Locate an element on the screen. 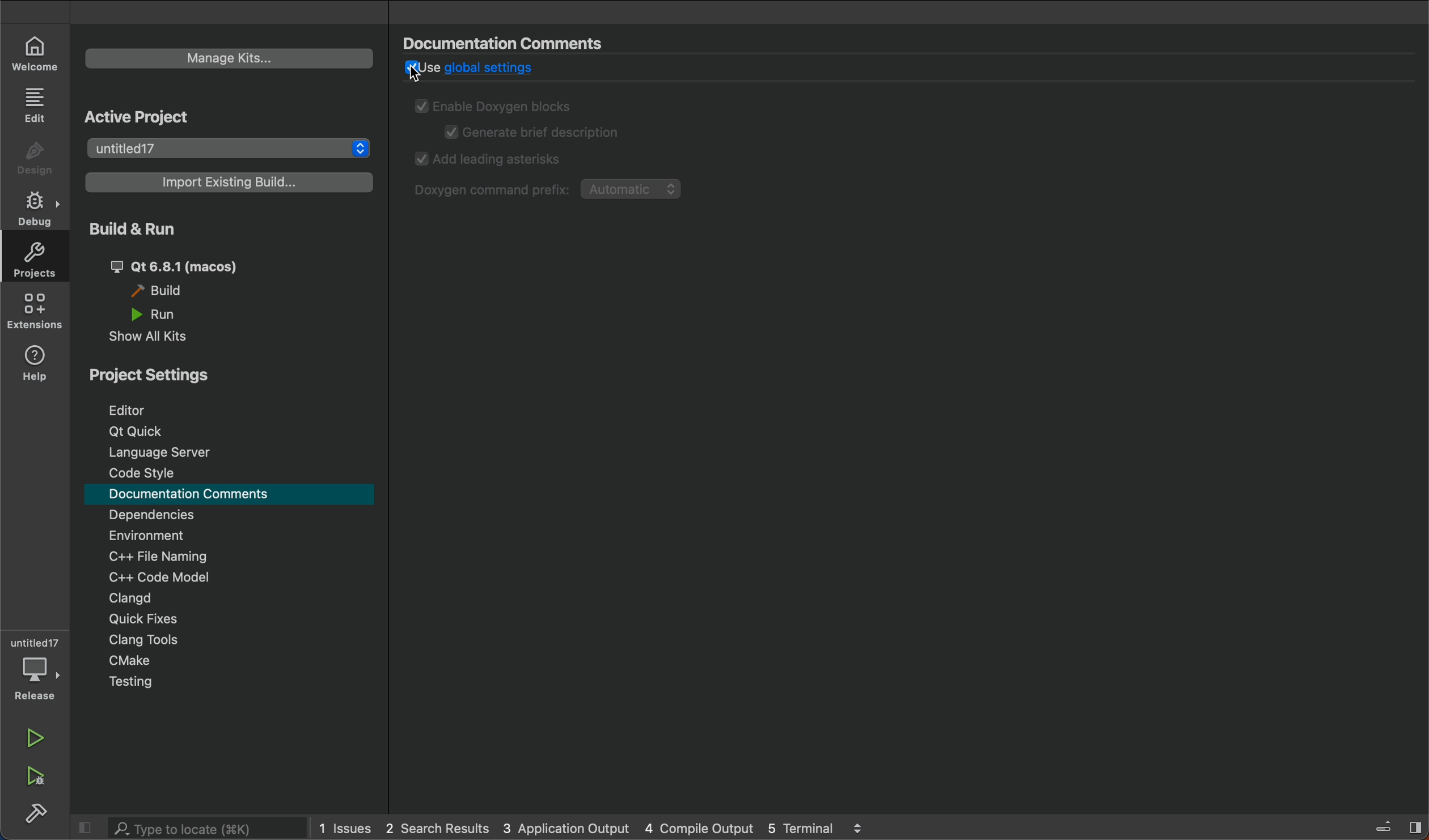 Image resolution: width=1429 pixels, height=840 pixels. cursor is located at coordinates (410, 75).